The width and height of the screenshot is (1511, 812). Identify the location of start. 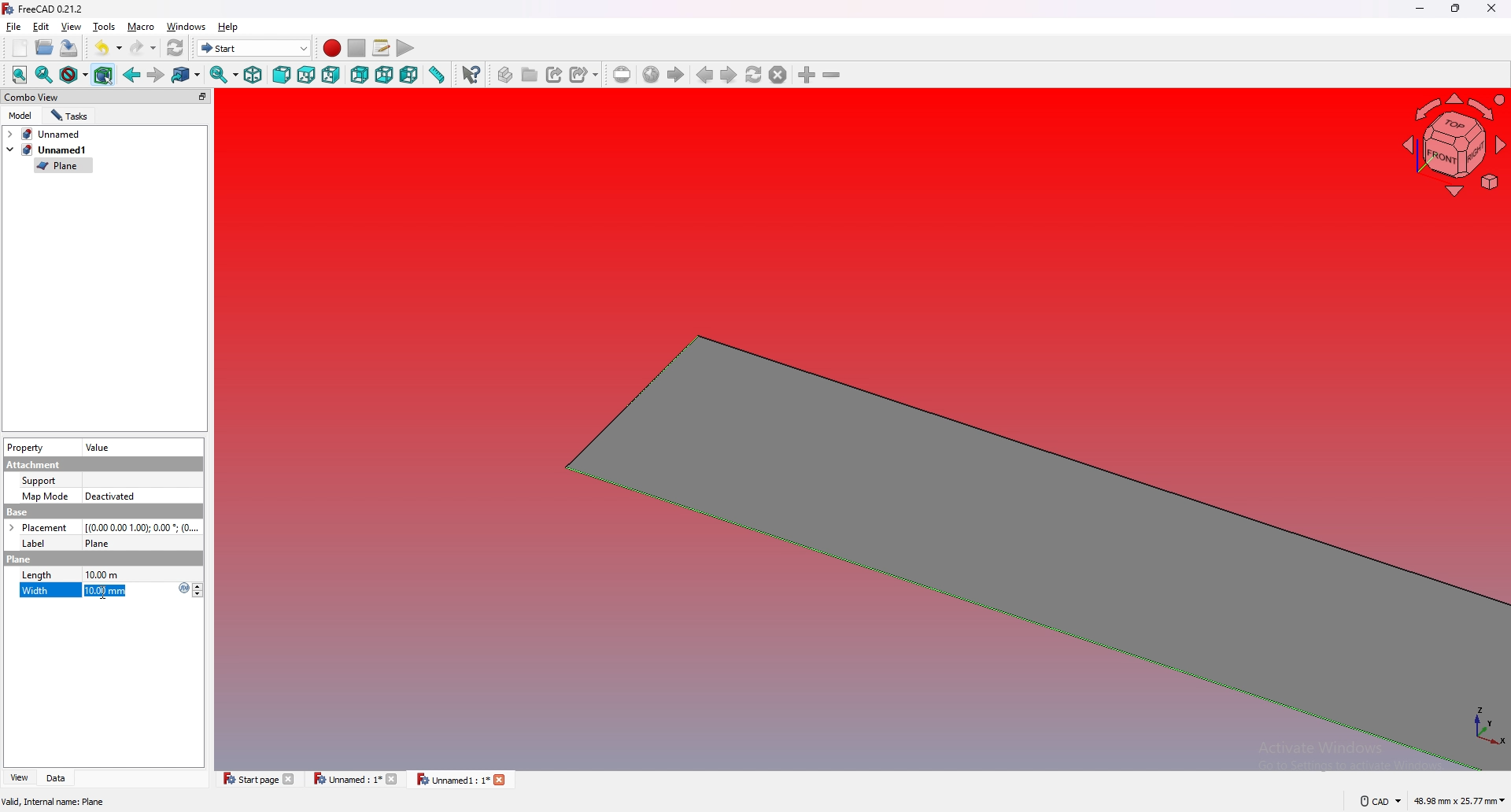
(254, 47).